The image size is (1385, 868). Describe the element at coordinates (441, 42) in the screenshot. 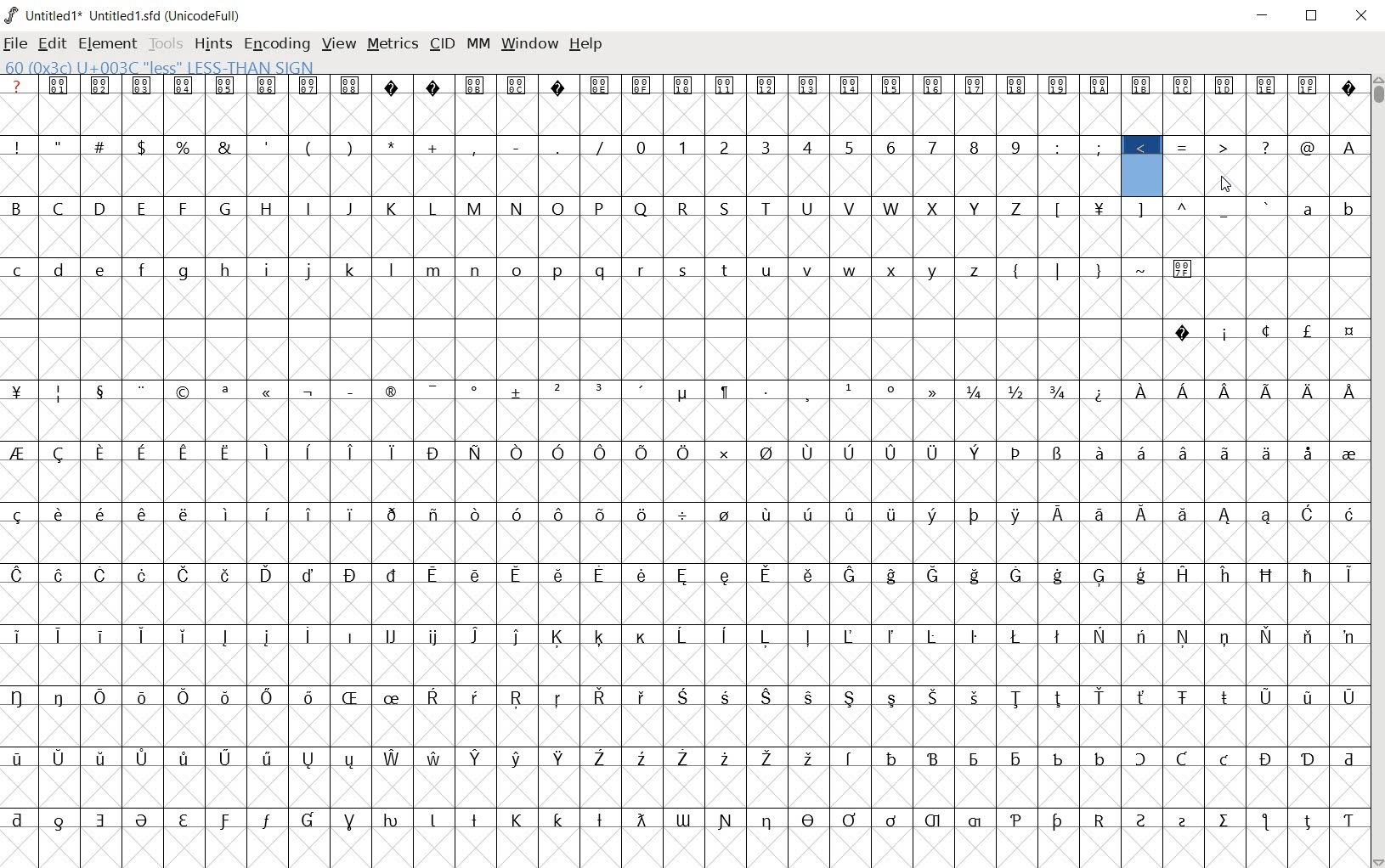

I see `cid` at that location.